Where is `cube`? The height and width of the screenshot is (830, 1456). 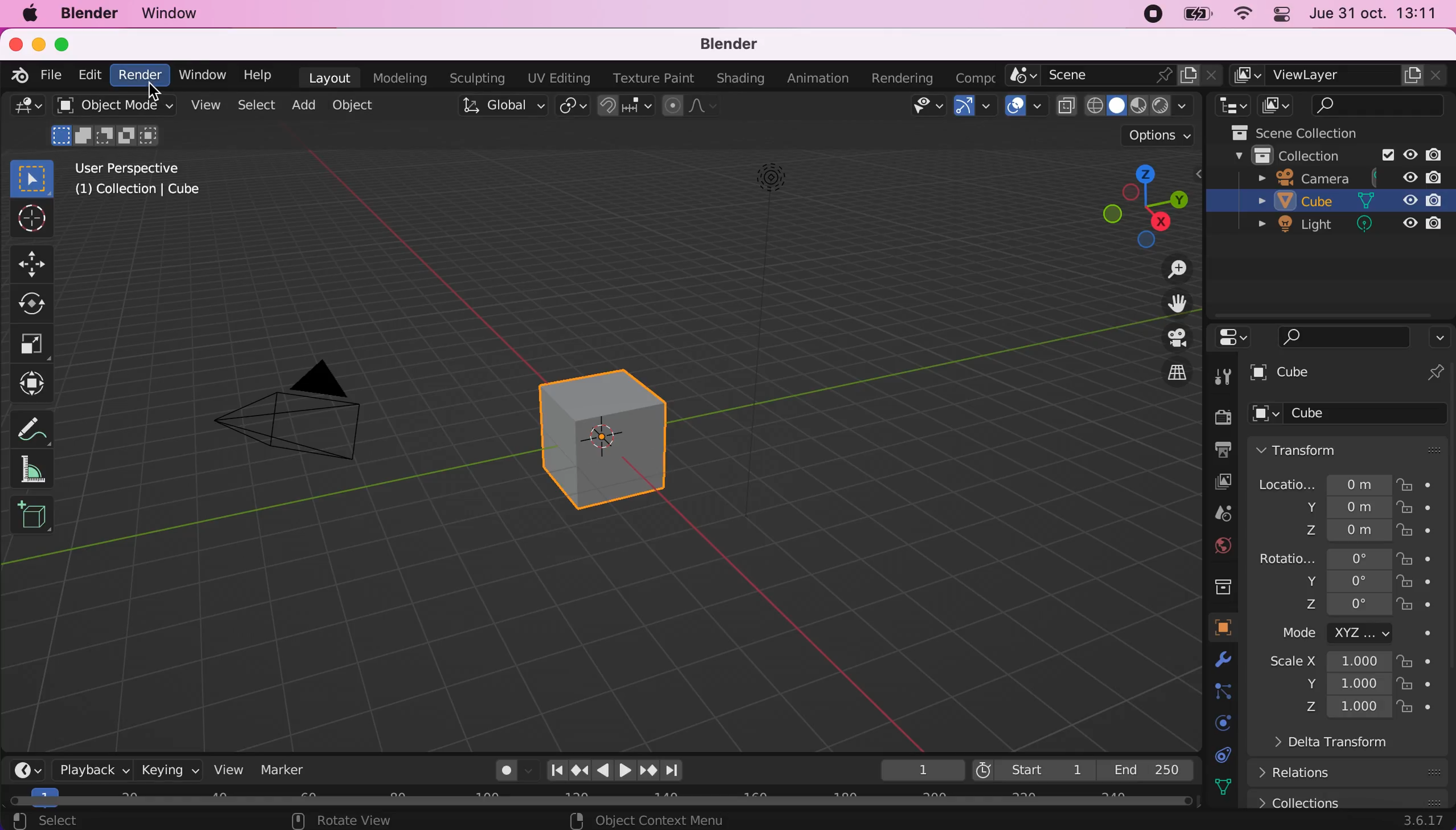 cube is located at coordinates (1336, 203).